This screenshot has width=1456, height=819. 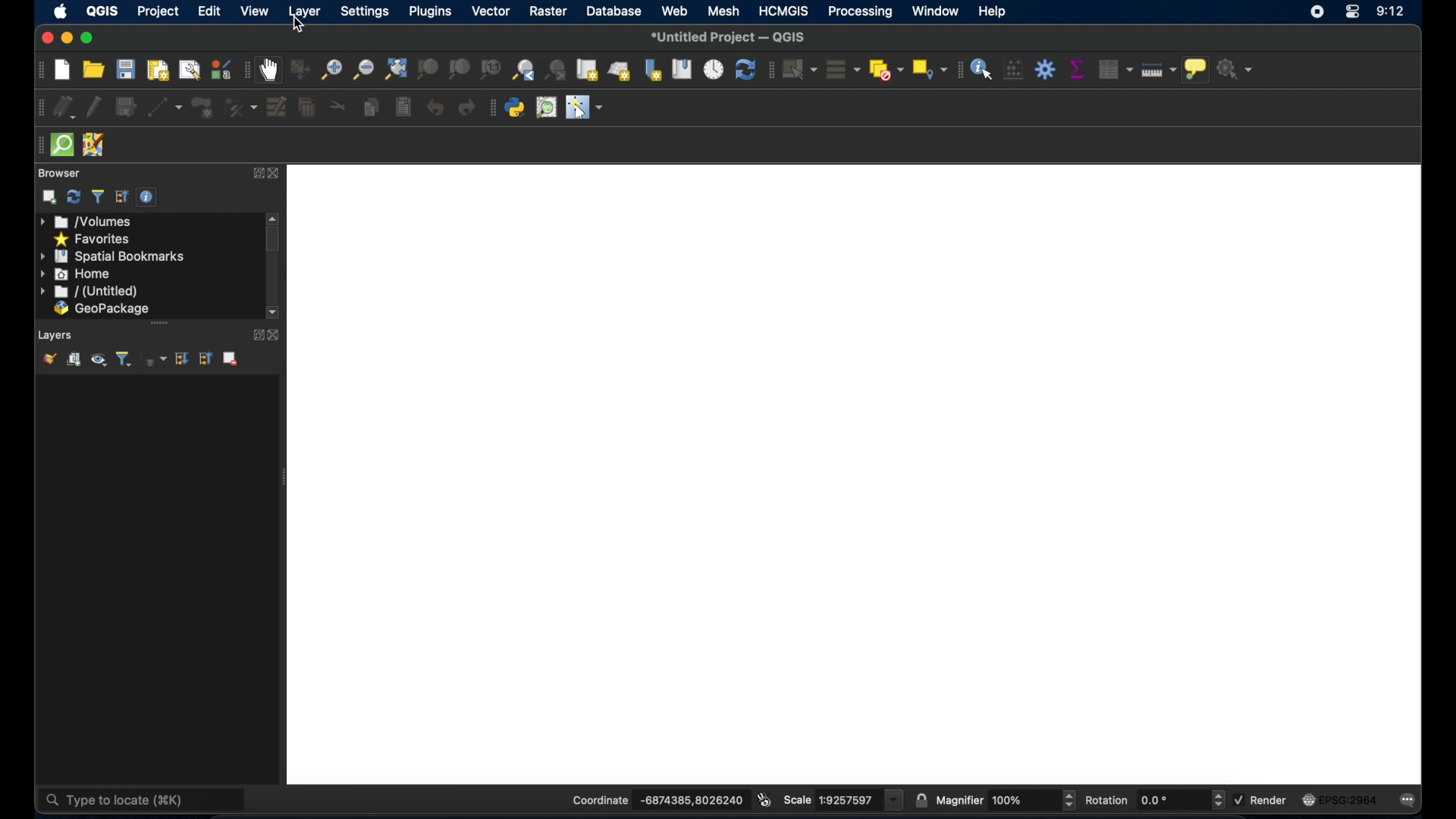 What do you see at coordinates (844, 69) in the screenshot?
I see `select all features` at bounding box center [844, 69].